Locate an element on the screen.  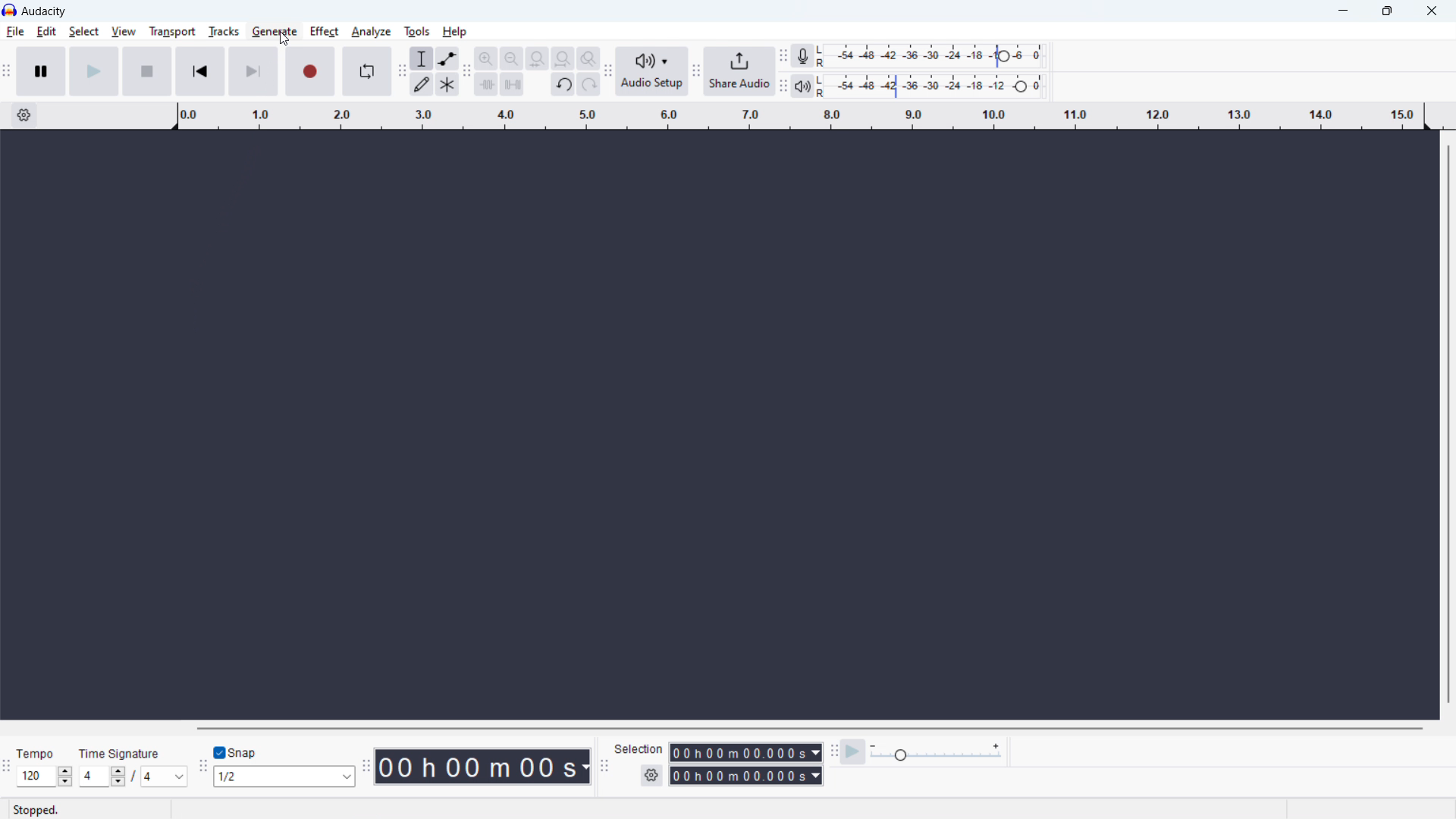
snapping toolbar is located at coordinates (202, 767).